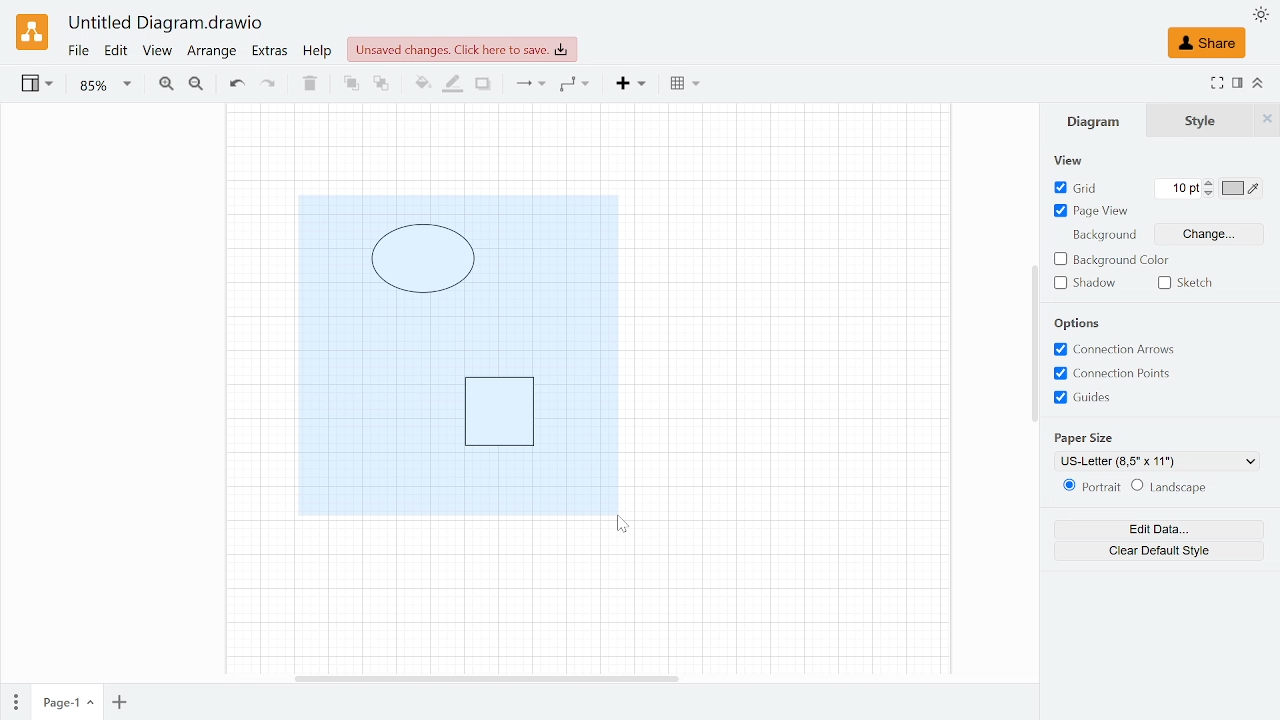 This screenshot has height=720, width=1280. What do you see at coordinates (270, 53) in the screenshot?
I see `Extras` at bounding box center [270, 53].